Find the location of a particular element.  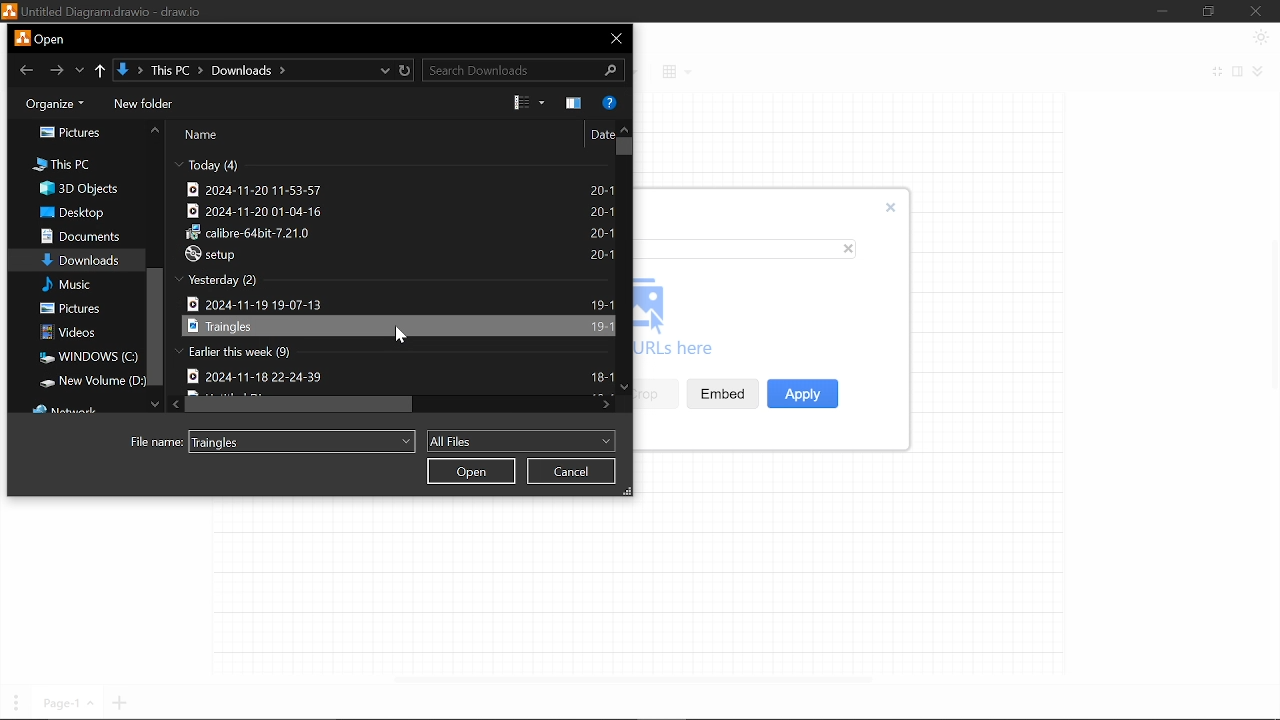

Show the preview pane is located at coordinates (572, 104).